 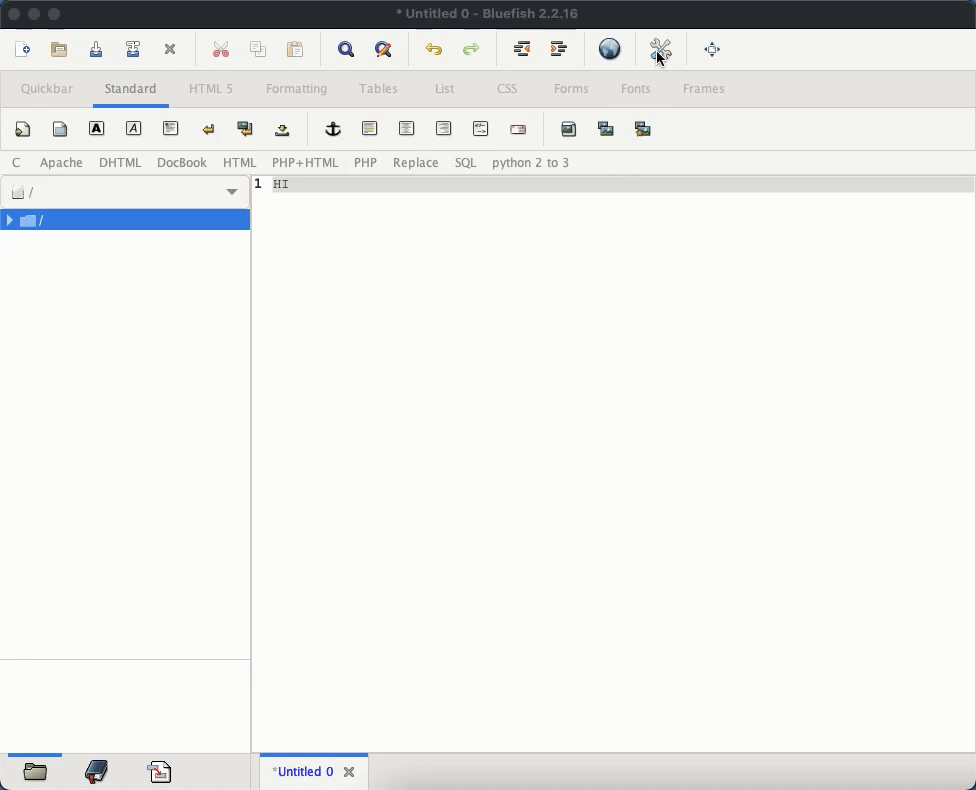 What do you see at coordinates (489, 15) in the screenshot?
I see `untitled 0 - bluefish` at bounding box center [489, 15].